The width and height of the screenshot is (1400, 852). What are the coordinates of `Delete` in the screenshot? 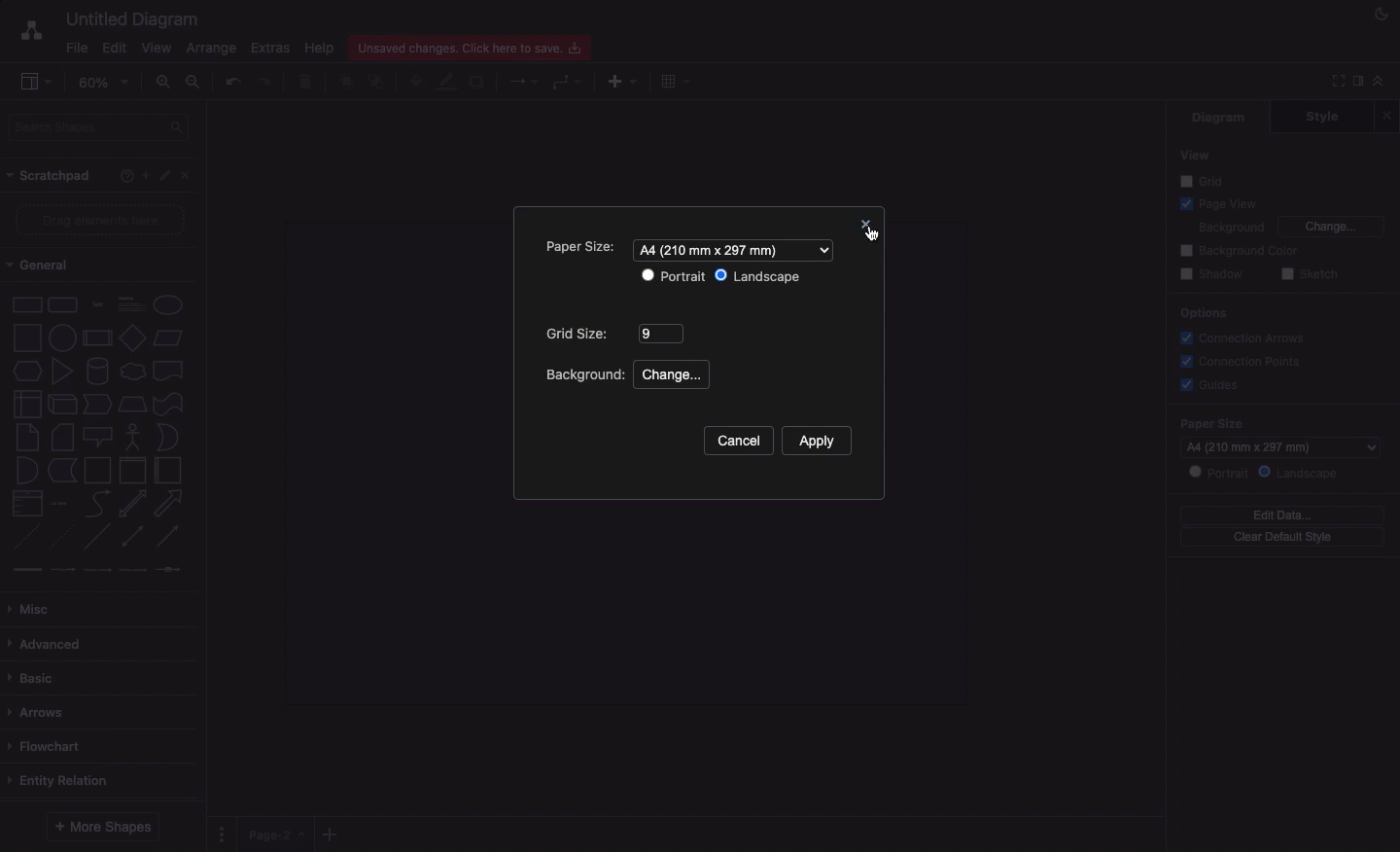 It's located at (306, 83).